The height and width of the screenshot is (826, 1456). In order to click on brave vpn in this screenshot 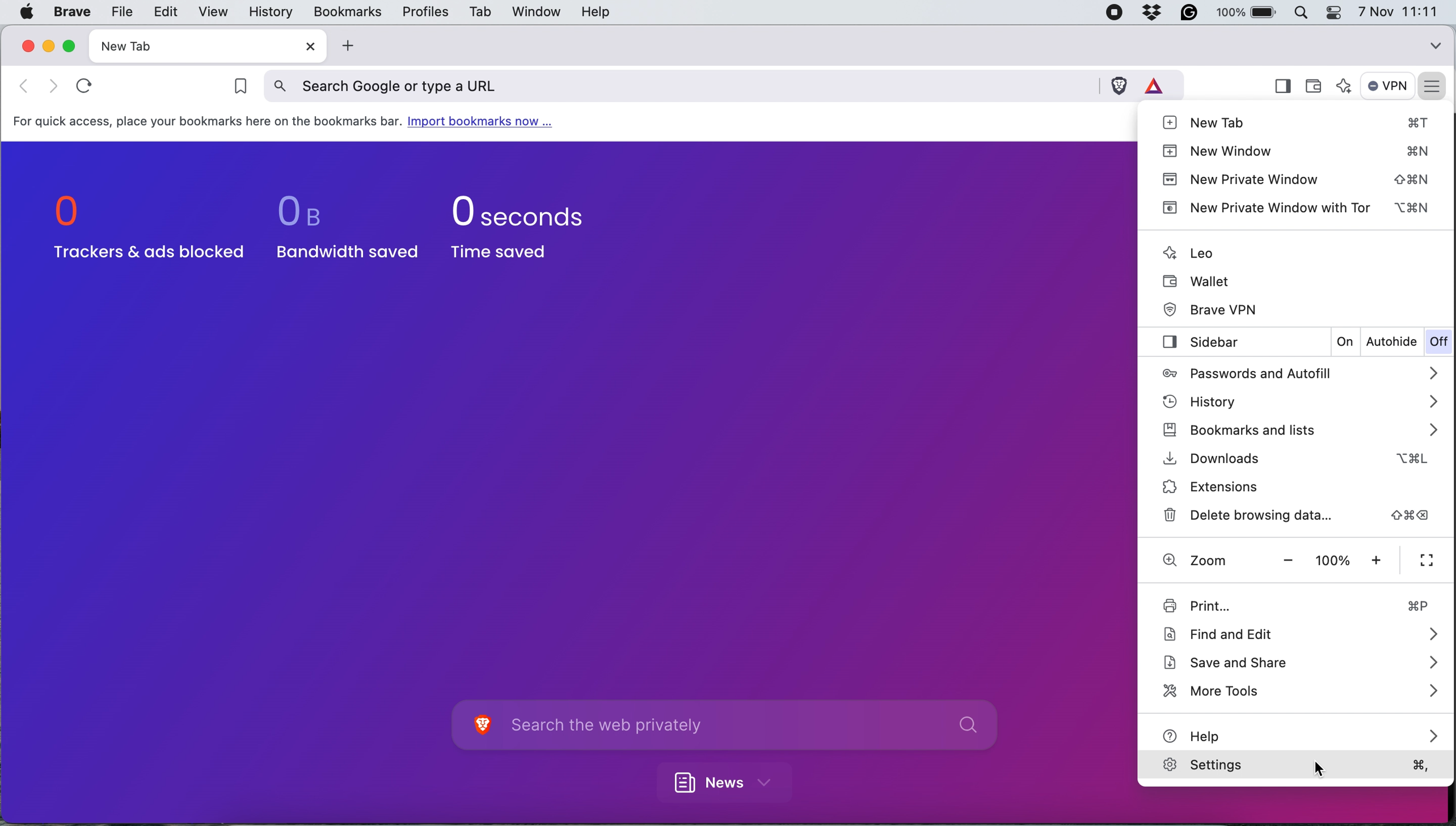, I will do `click(1214, 308)`.